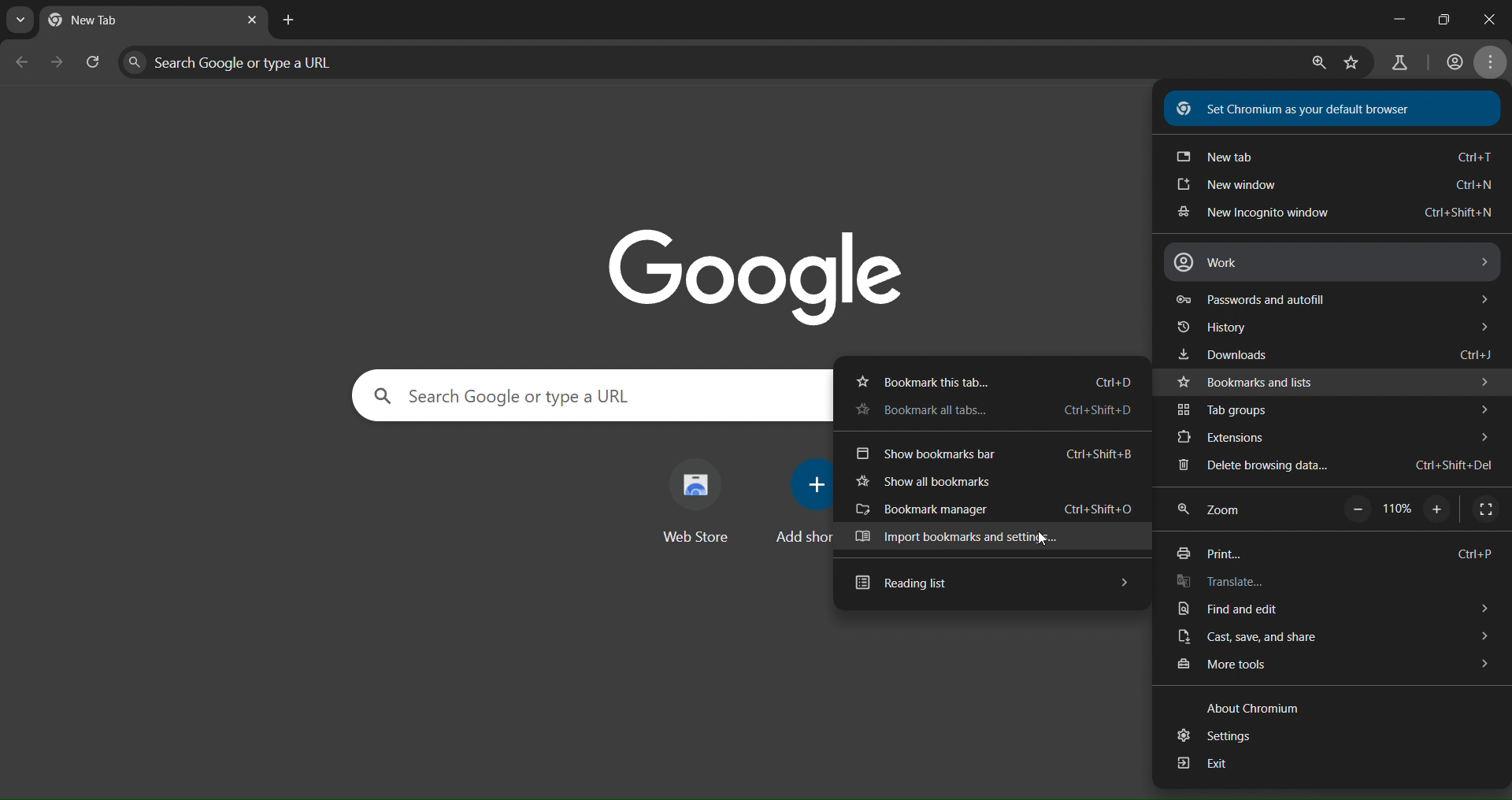  Describe the element at coordinates (1333, 354) in the screenshot. I see `downloads` at that location.